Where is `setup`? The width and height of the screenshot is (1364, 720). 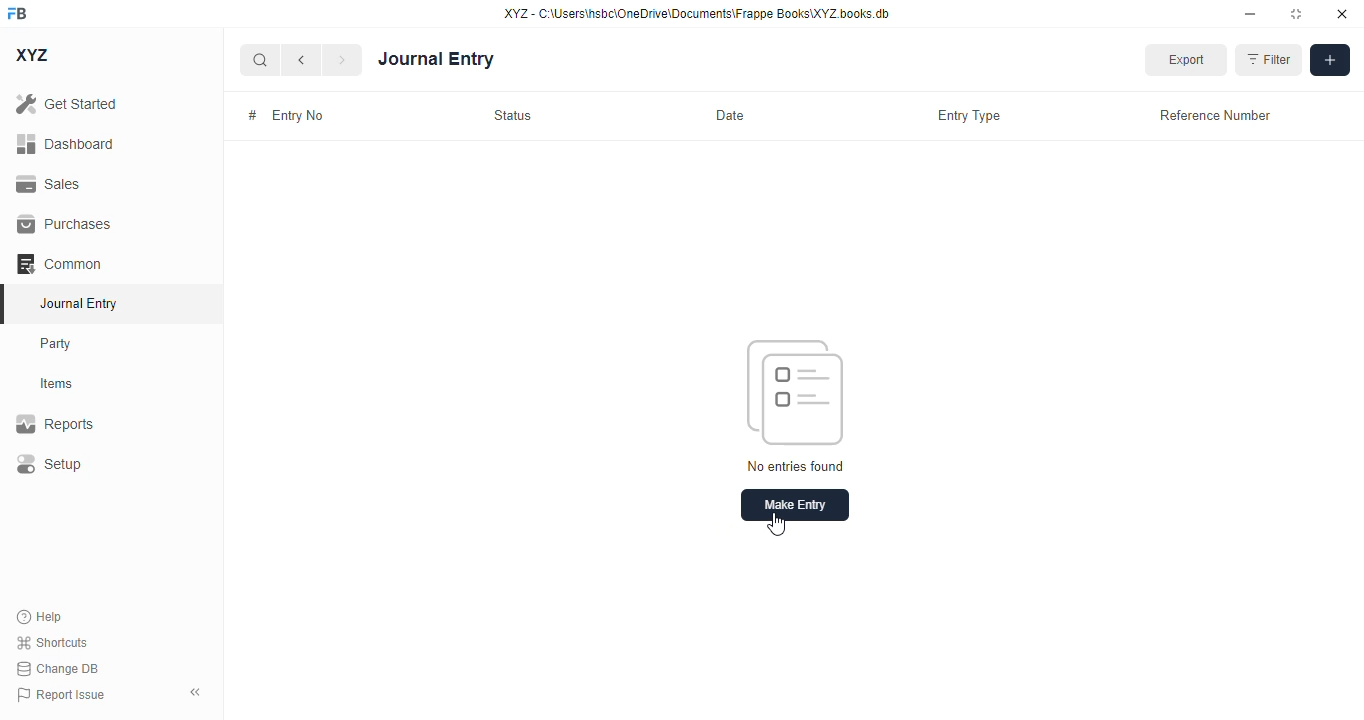
setup is located at coordinates (49, 463).